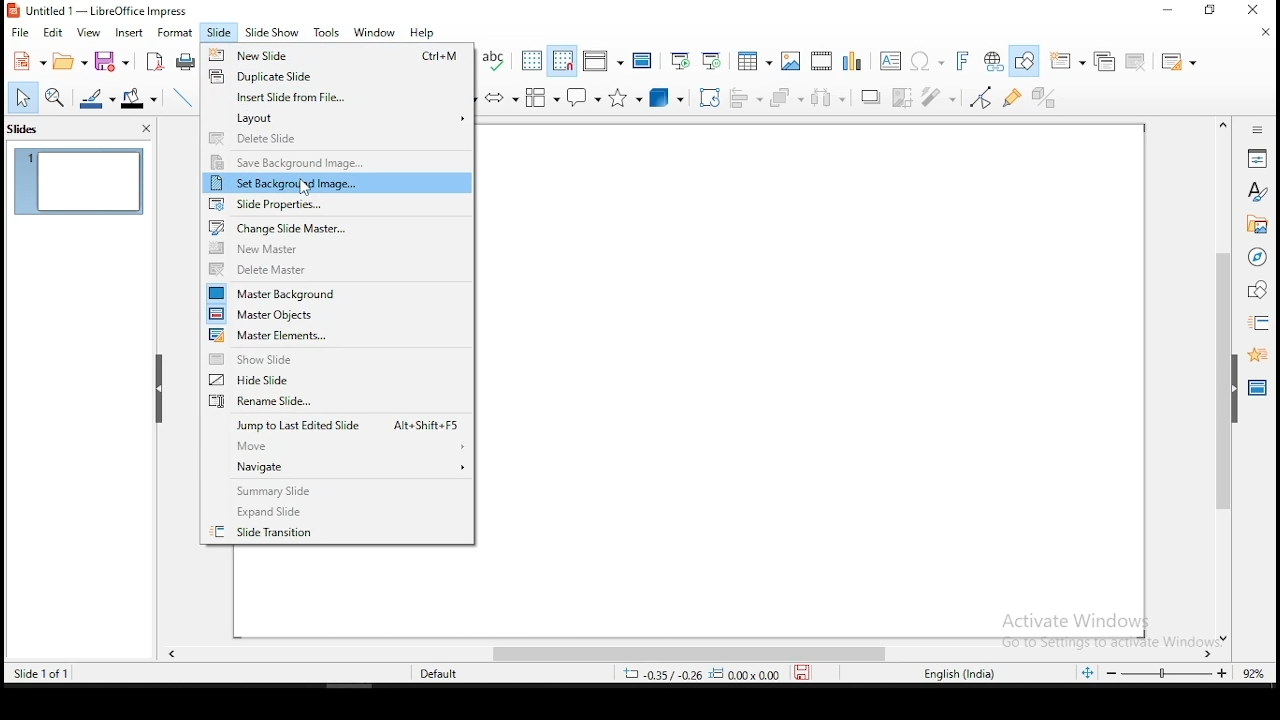 This screenshot has width=1280, height=720. What do you see at coordinates (1067, 60) in the screenshot?
I see `new slide` at bounding box center [1067, 60].